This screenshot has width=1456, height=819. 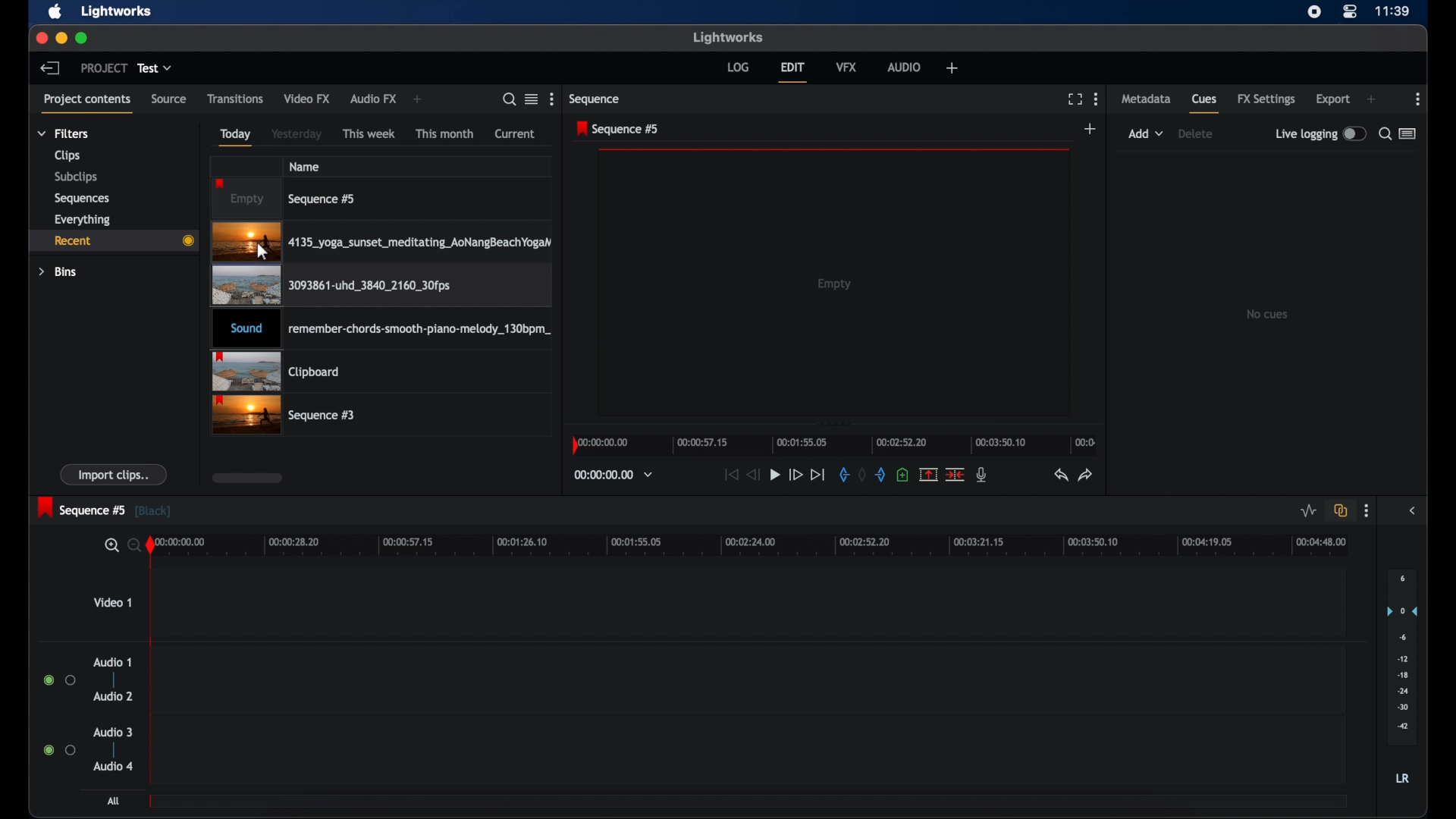 I want to click on search, so click(x=1384, y=135).